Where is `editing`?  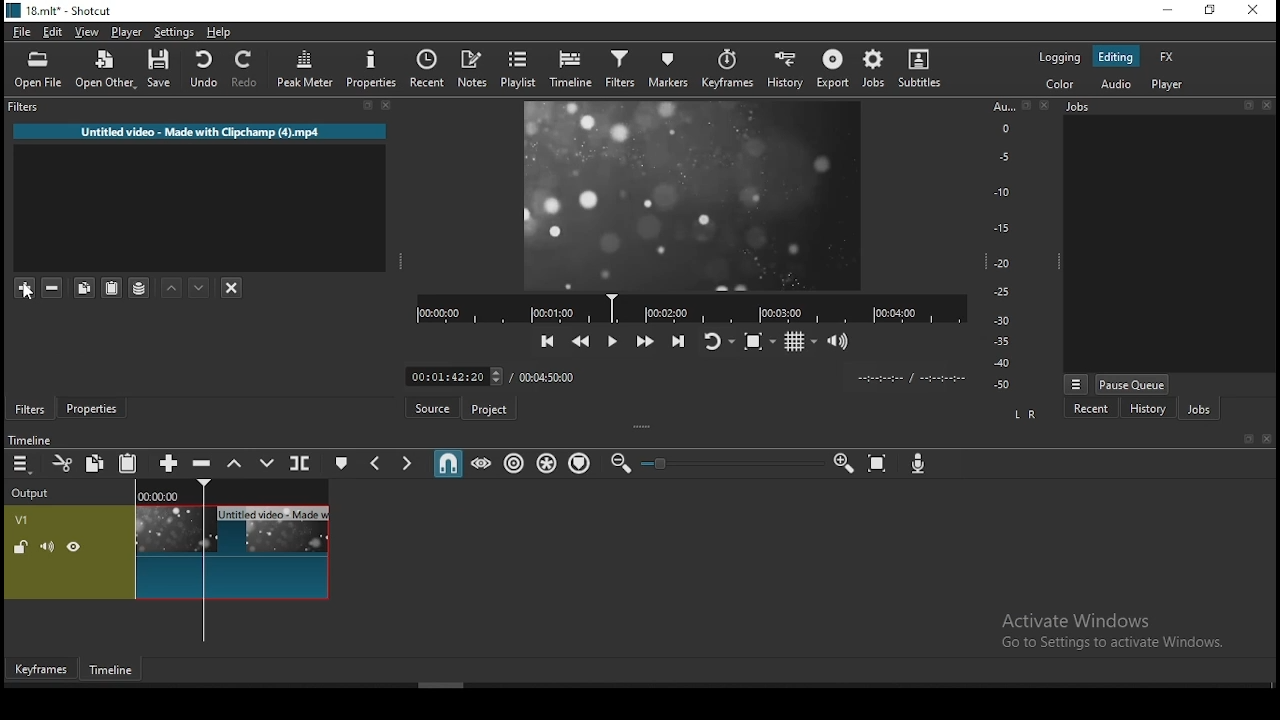
editing is located at coordinates (1115, 57).